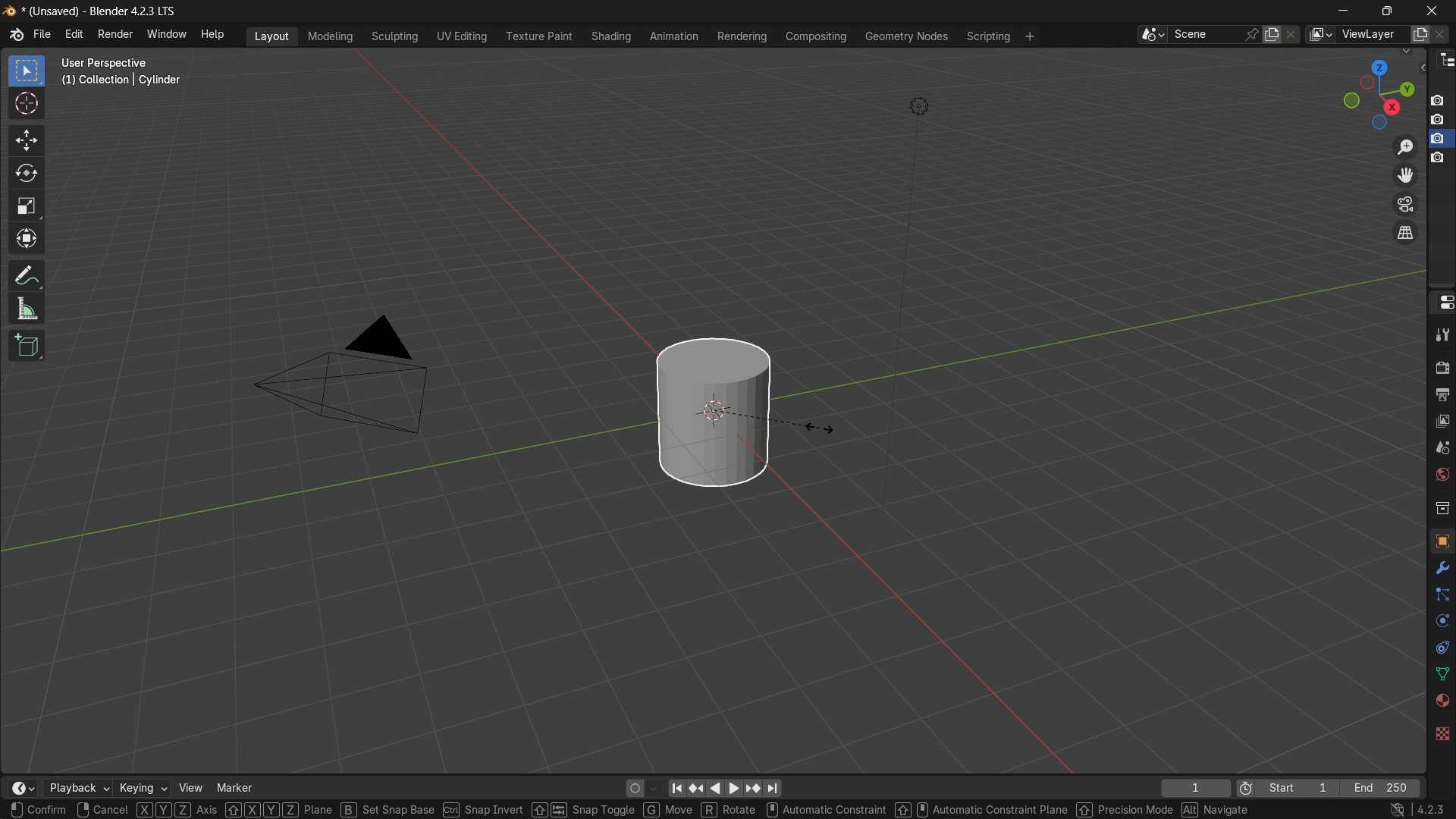 The image size is (1456, 819). What do you see at coordinates (1206, 35) in the screenshot?
I see `scene` at bounding box center [1206, 35].